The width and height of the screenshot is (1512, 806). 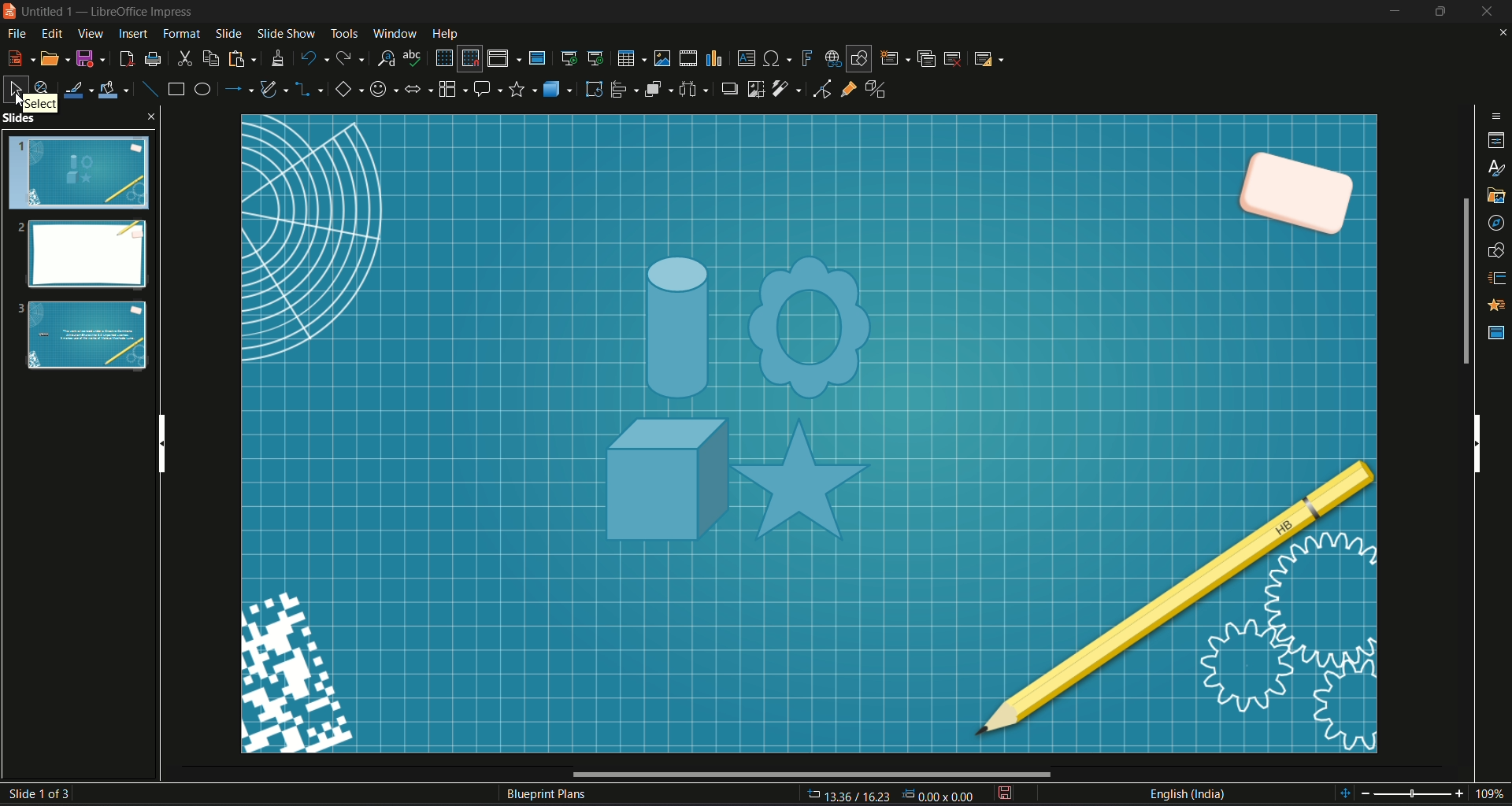 I want to click on paste, so click(x=239, y=59).